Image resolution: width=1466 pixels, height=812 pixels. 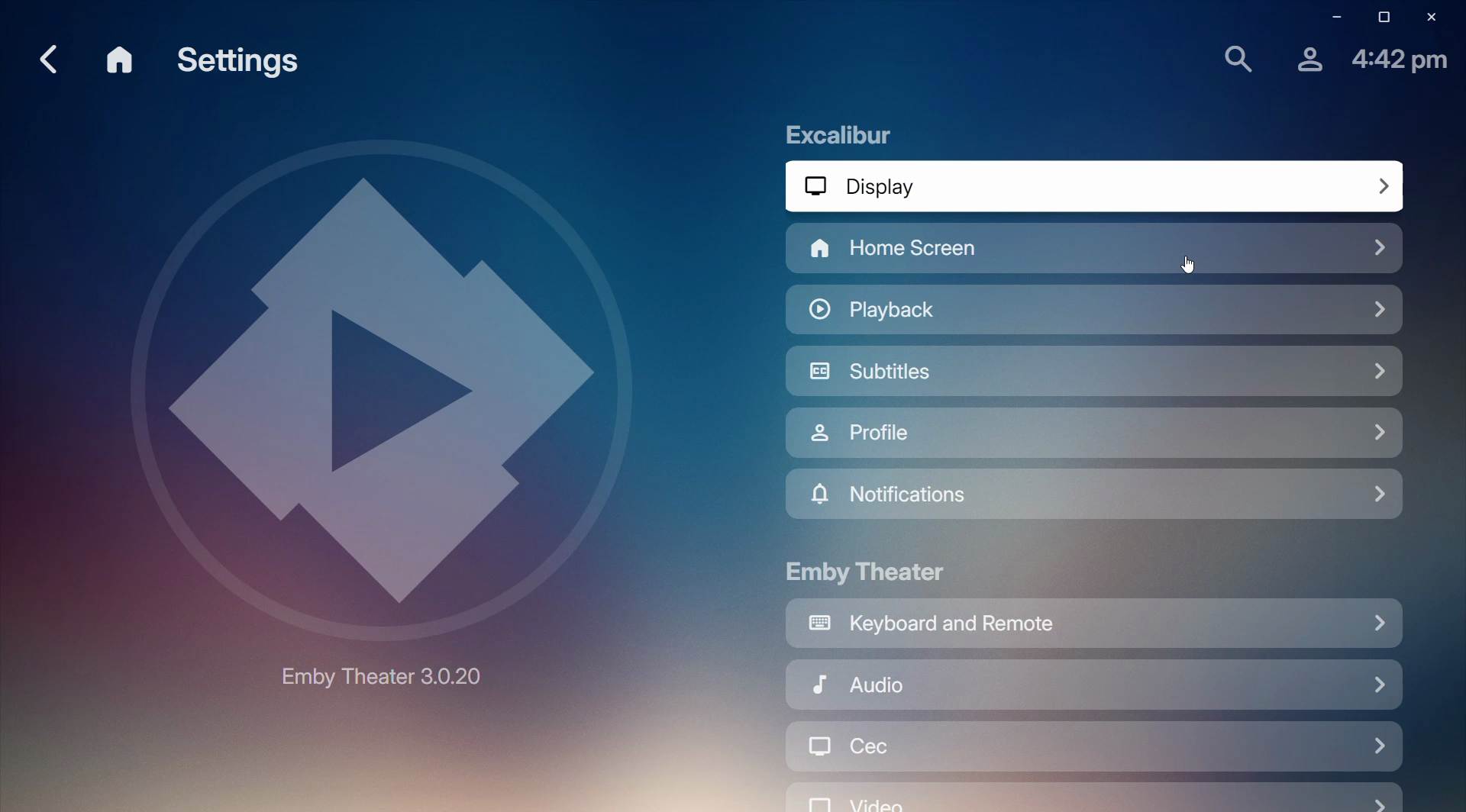 I want to click on Excalibur, so click(x=854, y=134).